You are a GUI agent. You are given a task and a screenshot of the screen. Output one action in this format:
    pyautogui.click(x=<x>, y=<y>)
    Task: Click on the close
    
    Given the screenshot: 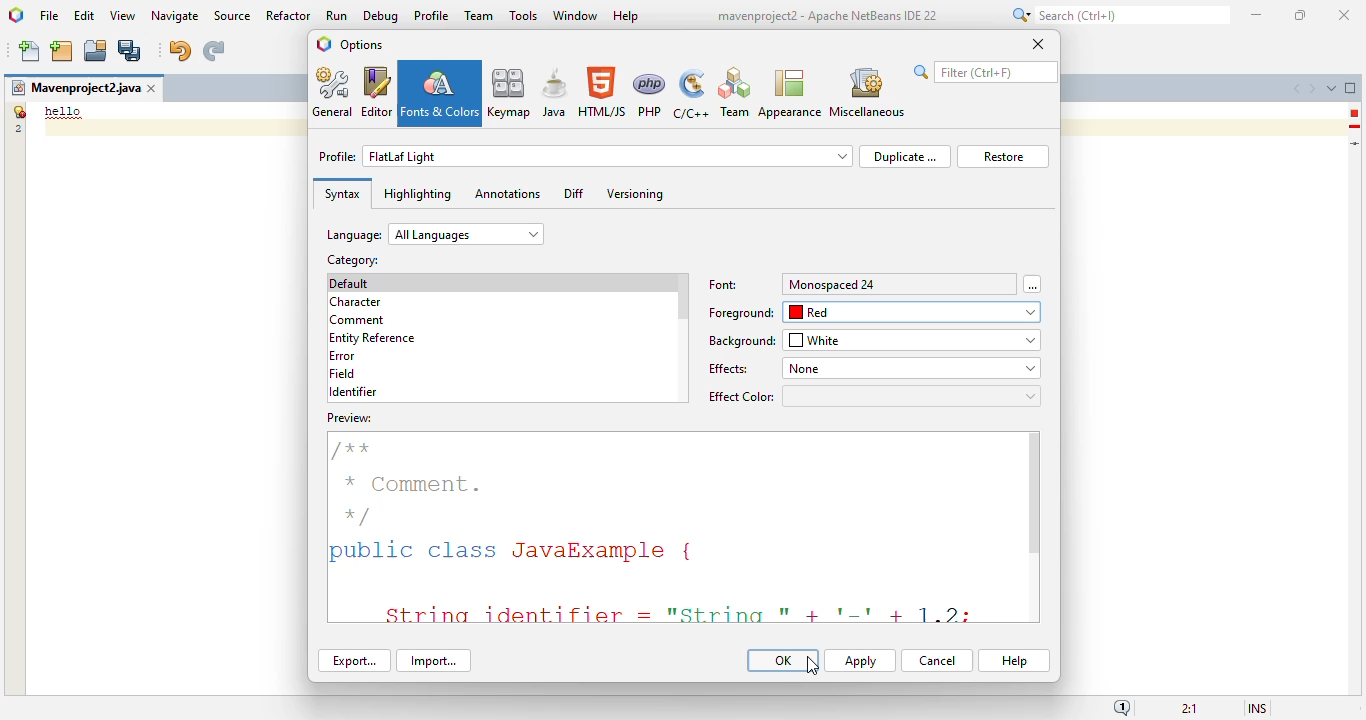 What is the action you would take?
    pyautogui.click(x=1345, y=16)
    